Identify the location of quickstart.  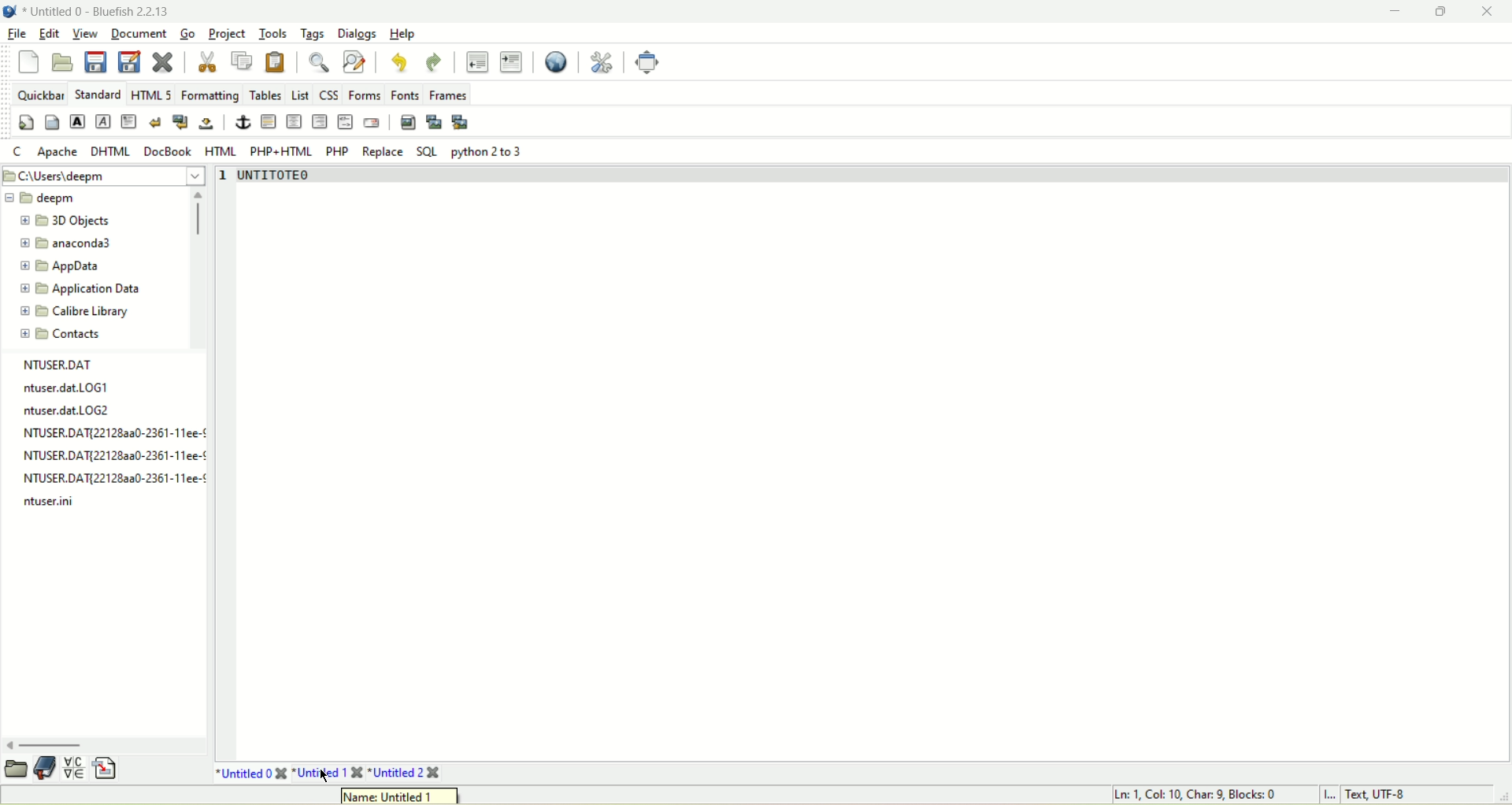
(24, 124).